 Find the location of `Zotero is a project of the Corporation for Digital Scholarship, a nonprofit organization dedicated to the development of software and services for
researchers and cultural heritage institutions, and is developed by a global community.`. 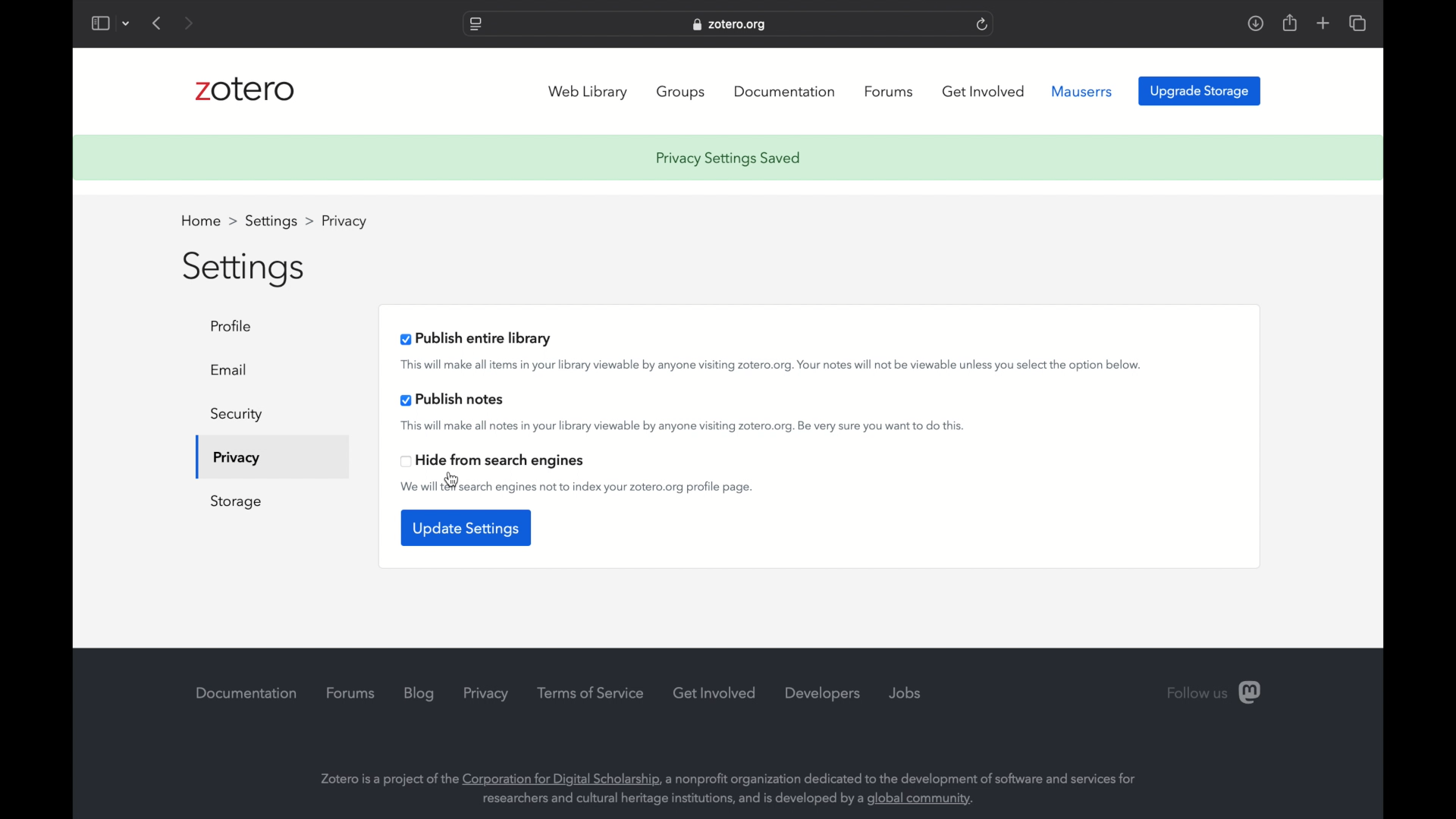

Zotero is a project of the Corporation for Digital Scholarship, a nonprofit organization dedicated to the development of software and services for
researchers and cultural heritage institutions, and is developed by a global community. is located at coordinates (737, 752).